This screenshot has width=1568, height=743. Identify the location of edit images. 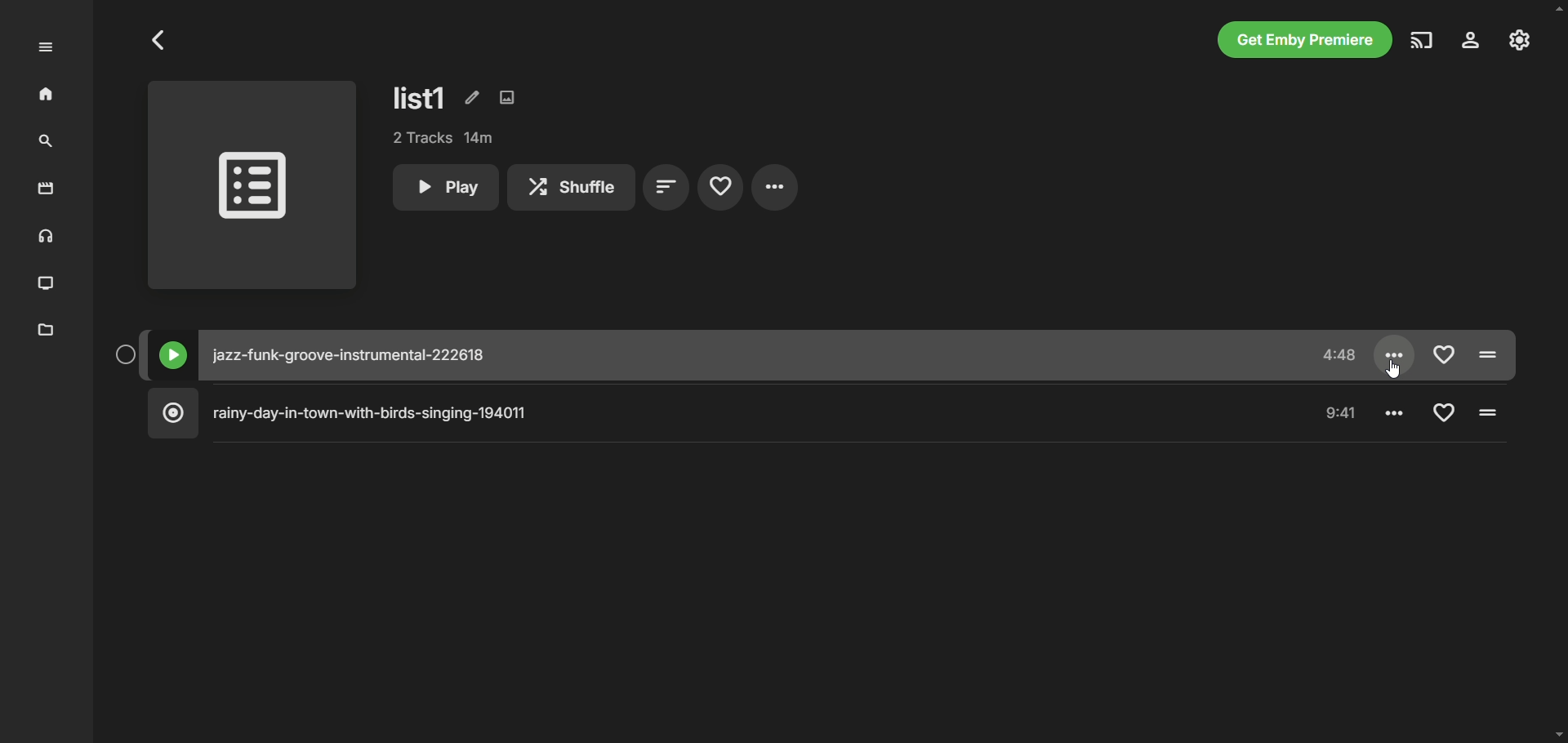
(507, 97).